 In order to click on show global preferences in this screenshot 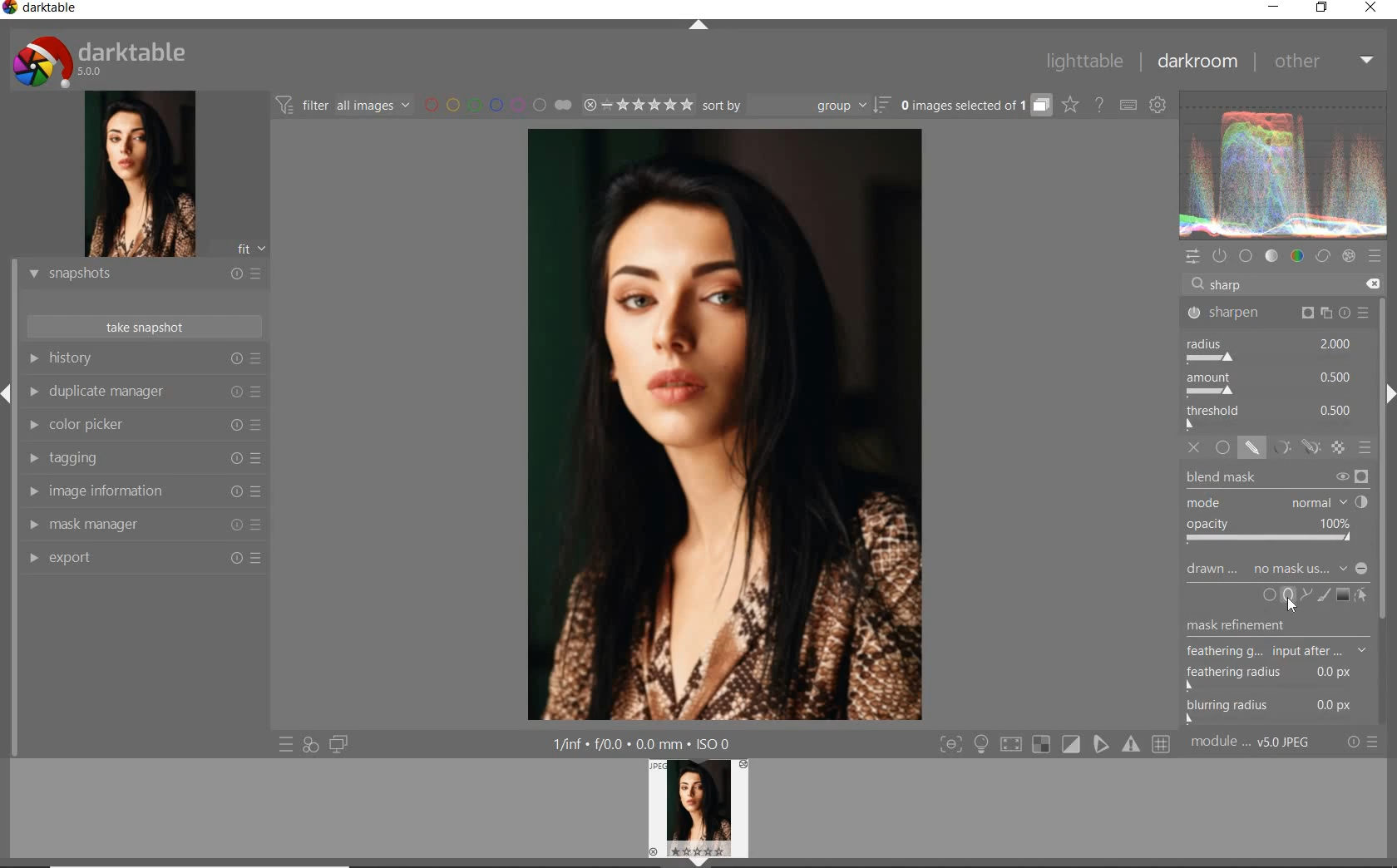, I will do `click(1157, 101)`.